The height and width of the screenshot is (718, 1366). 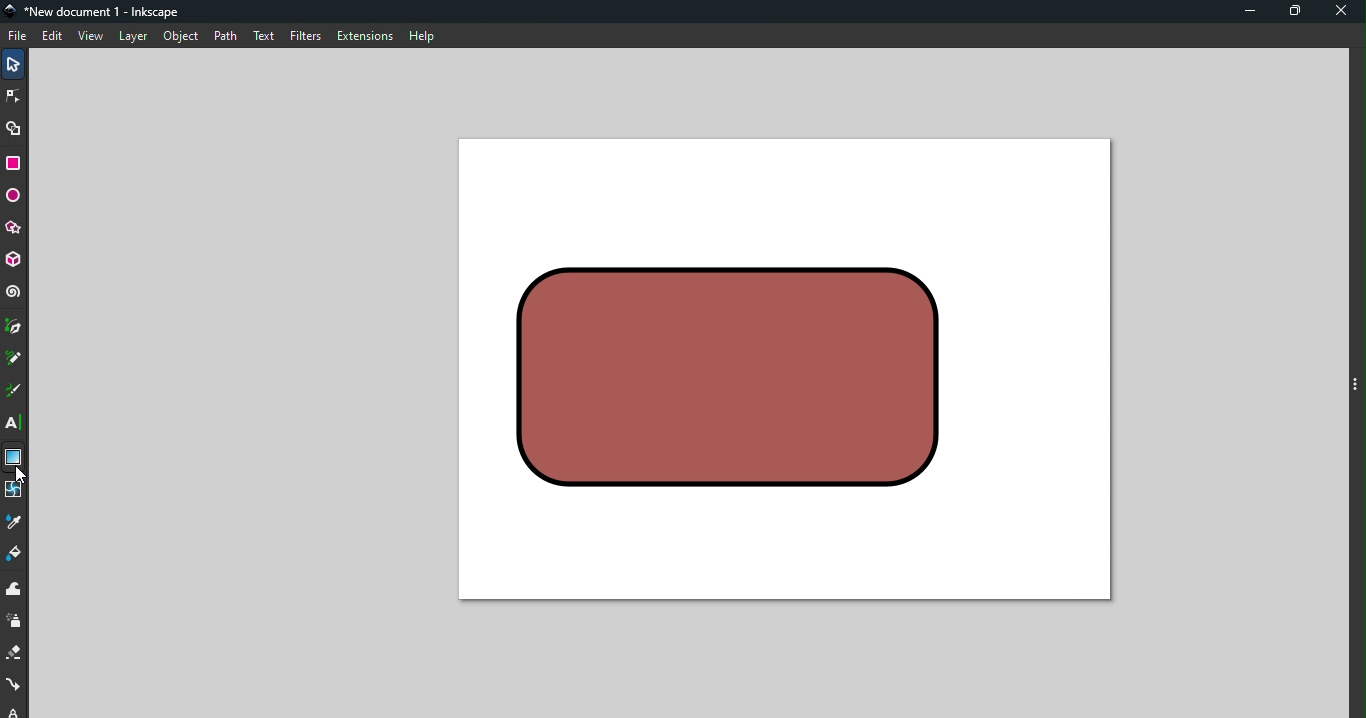 I want to click on Mesh tool, so click(x=14, y=492).